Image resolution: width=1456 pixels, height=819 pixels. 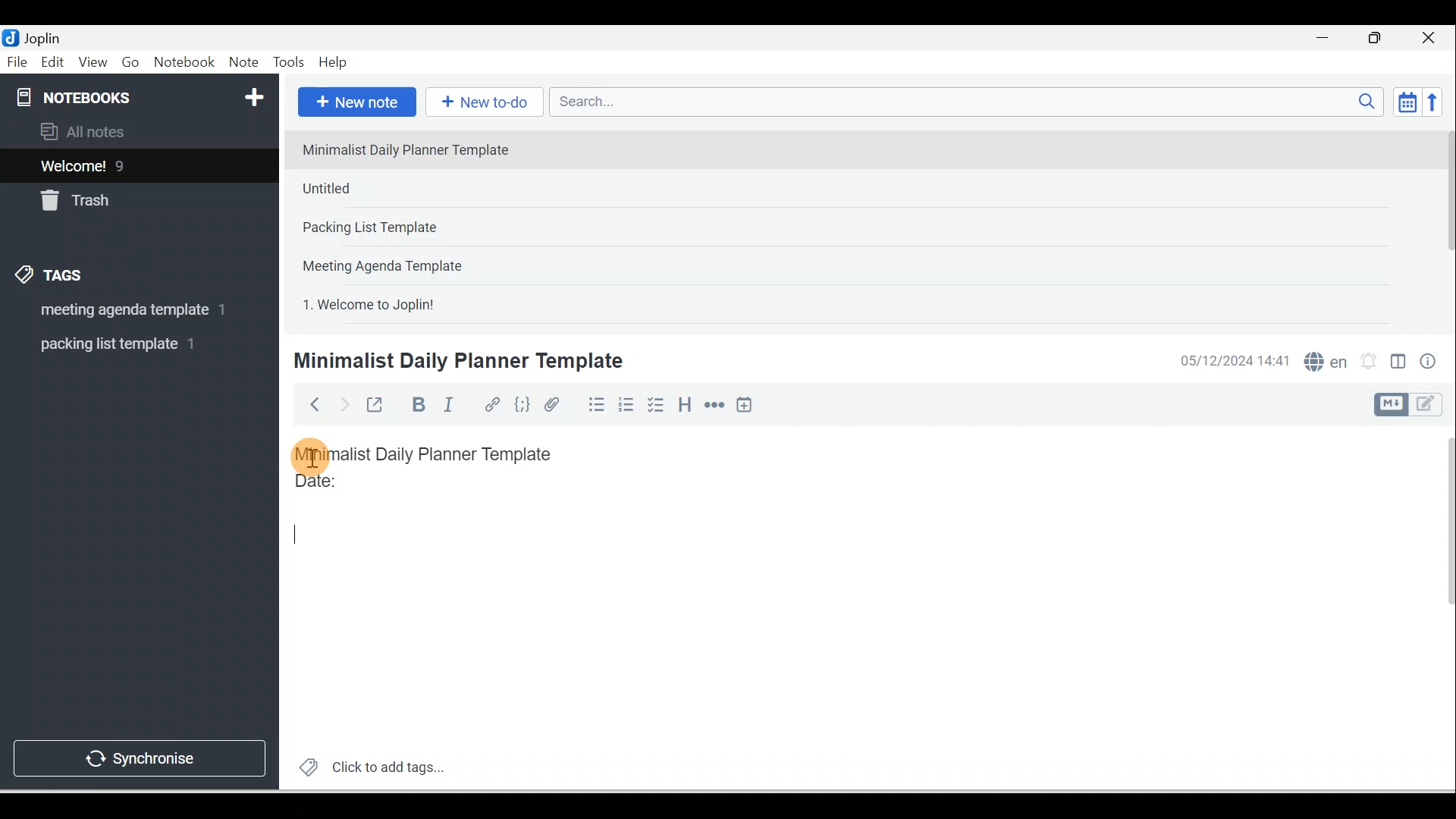 I want to click on Maximise, so click(x=1380, y=39).